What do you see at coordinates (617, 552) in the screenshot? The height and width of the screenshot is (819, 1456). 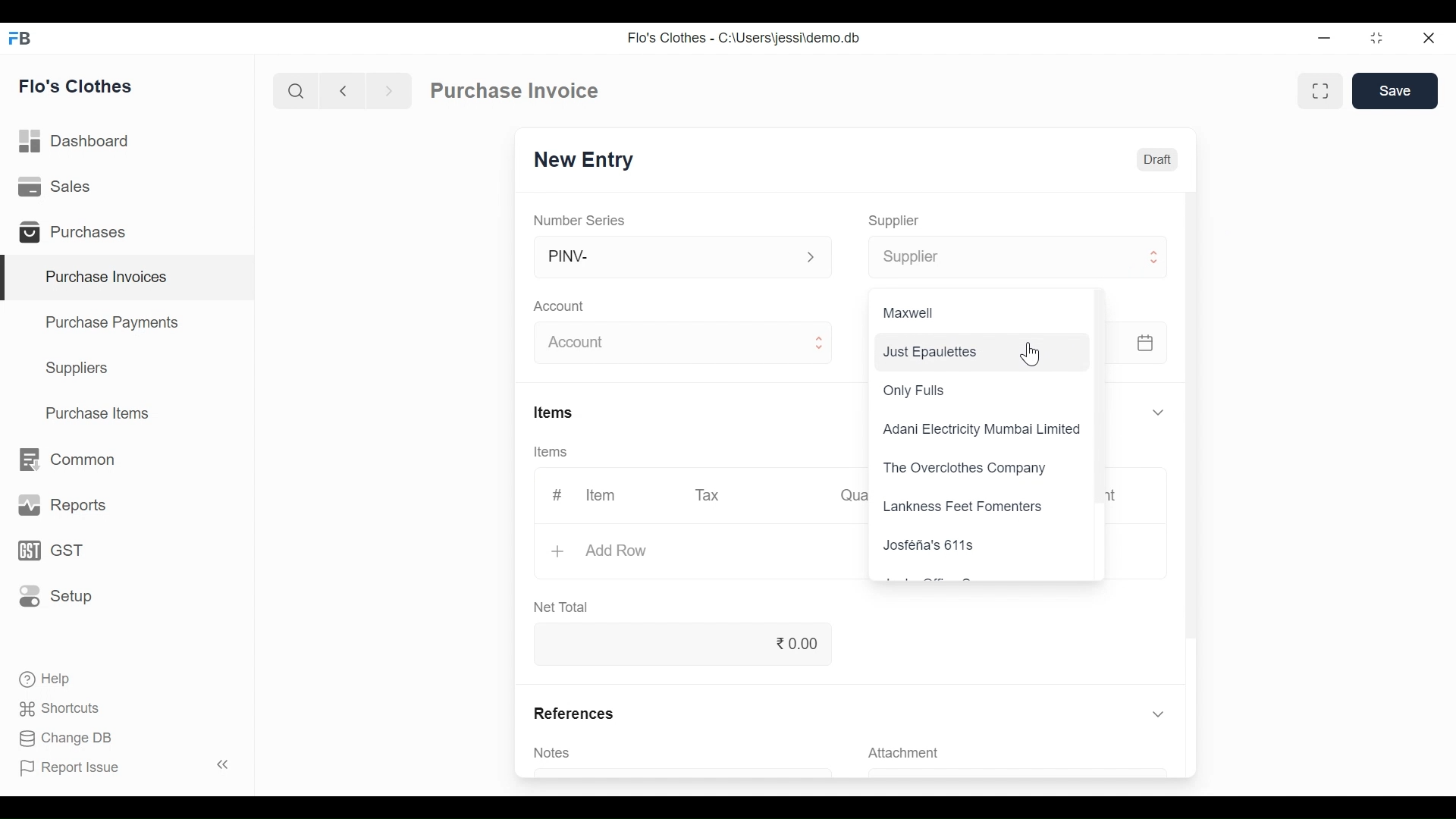 I see `Add Row` at bounding box center [617, 552].